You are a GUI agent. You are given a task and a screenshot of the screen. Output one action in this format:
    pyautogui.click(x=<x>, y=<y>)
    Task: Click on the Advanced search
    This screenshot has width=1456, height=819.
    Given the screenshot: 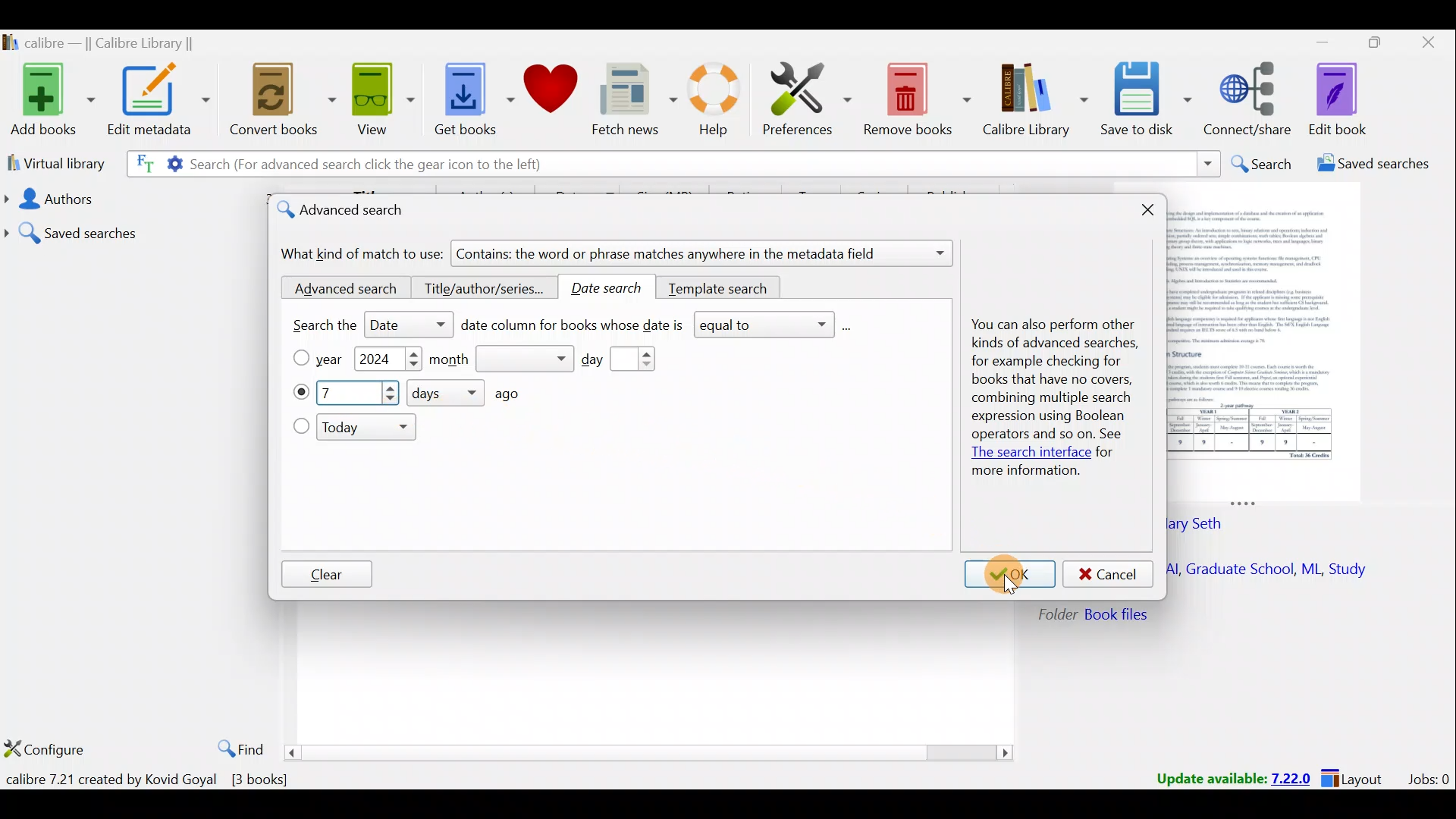 What is the action you would take?
    pyautogui.click(x=340, y=289)
    